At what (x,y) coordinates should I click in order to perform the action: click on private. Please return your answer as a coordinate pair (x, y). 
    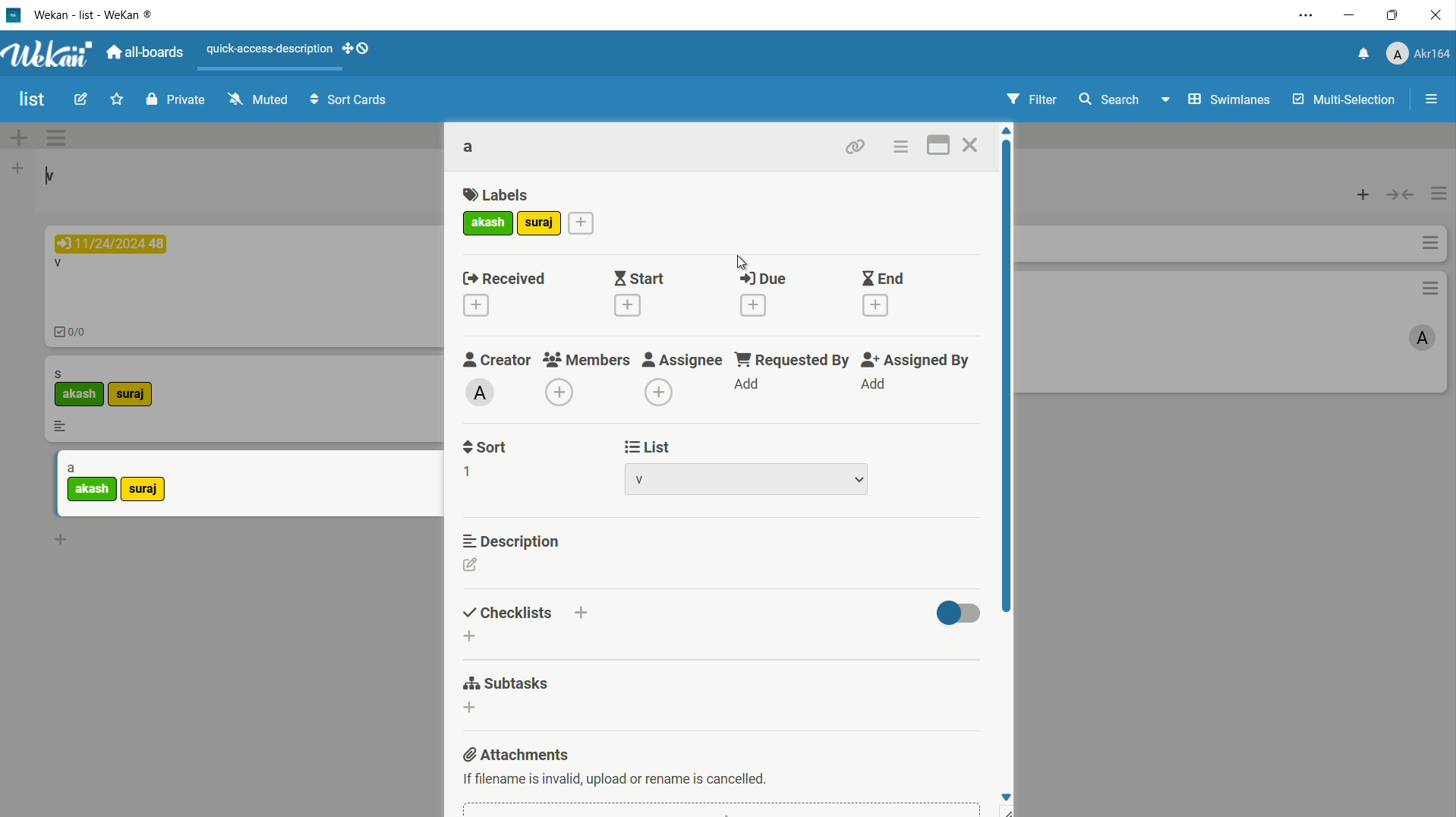
    Looking at the image, I should click on (173, 102).